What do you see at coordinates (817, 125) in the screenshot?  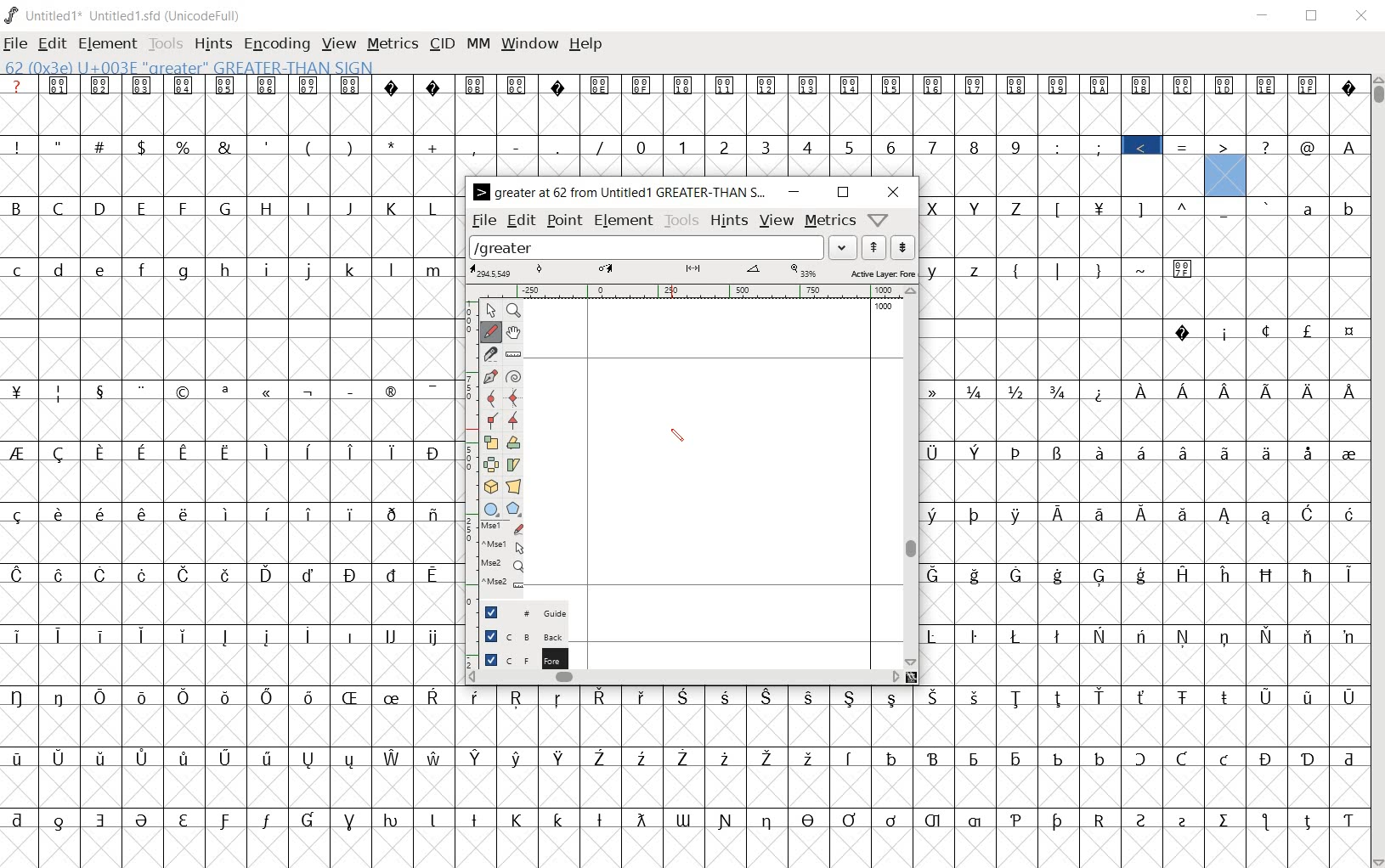 I see `glyph characters` at bounding box center [817, 125].